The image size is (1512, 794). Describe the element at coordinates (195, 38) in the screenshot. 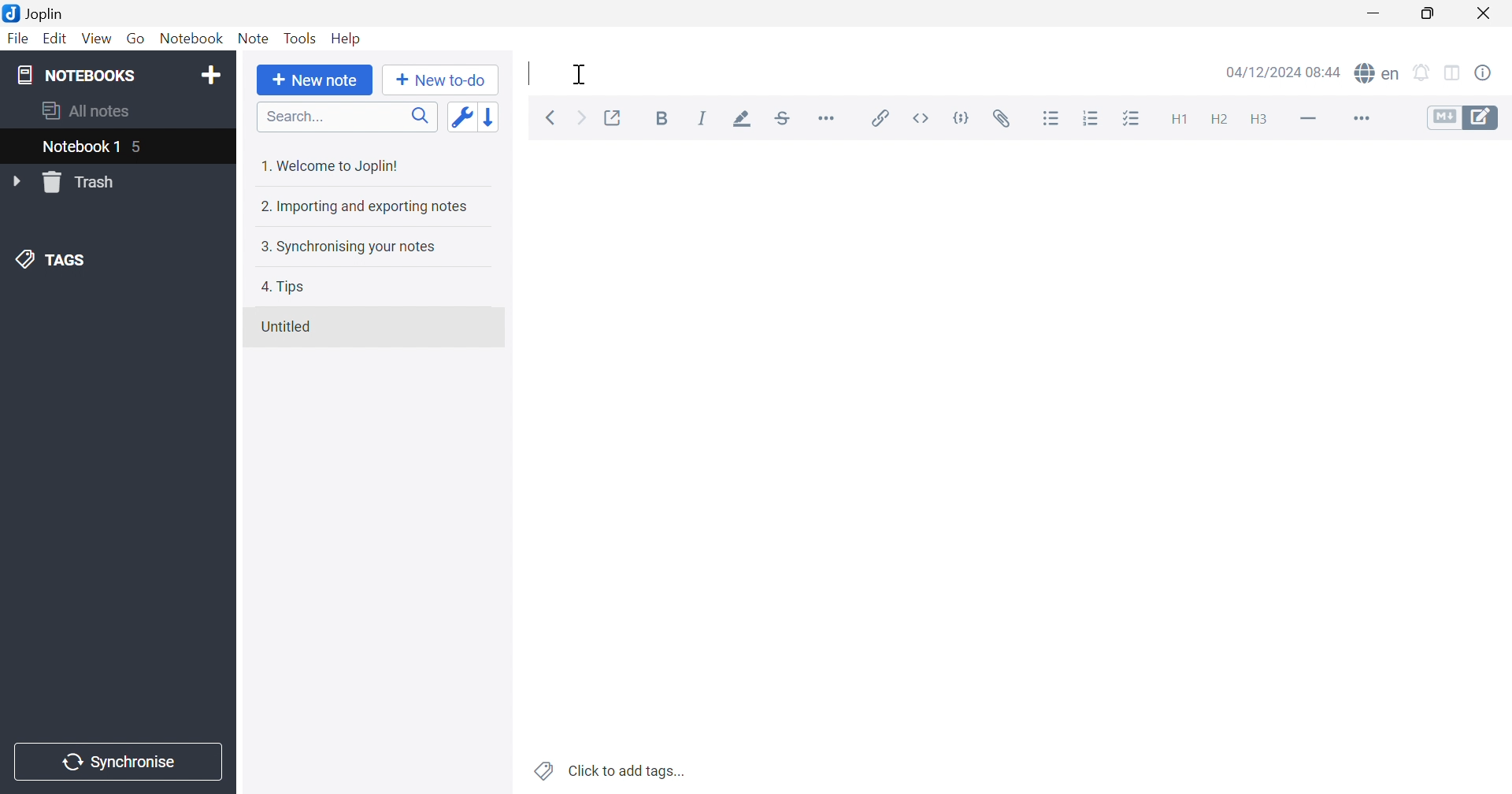

I see `Notebook` at that location.